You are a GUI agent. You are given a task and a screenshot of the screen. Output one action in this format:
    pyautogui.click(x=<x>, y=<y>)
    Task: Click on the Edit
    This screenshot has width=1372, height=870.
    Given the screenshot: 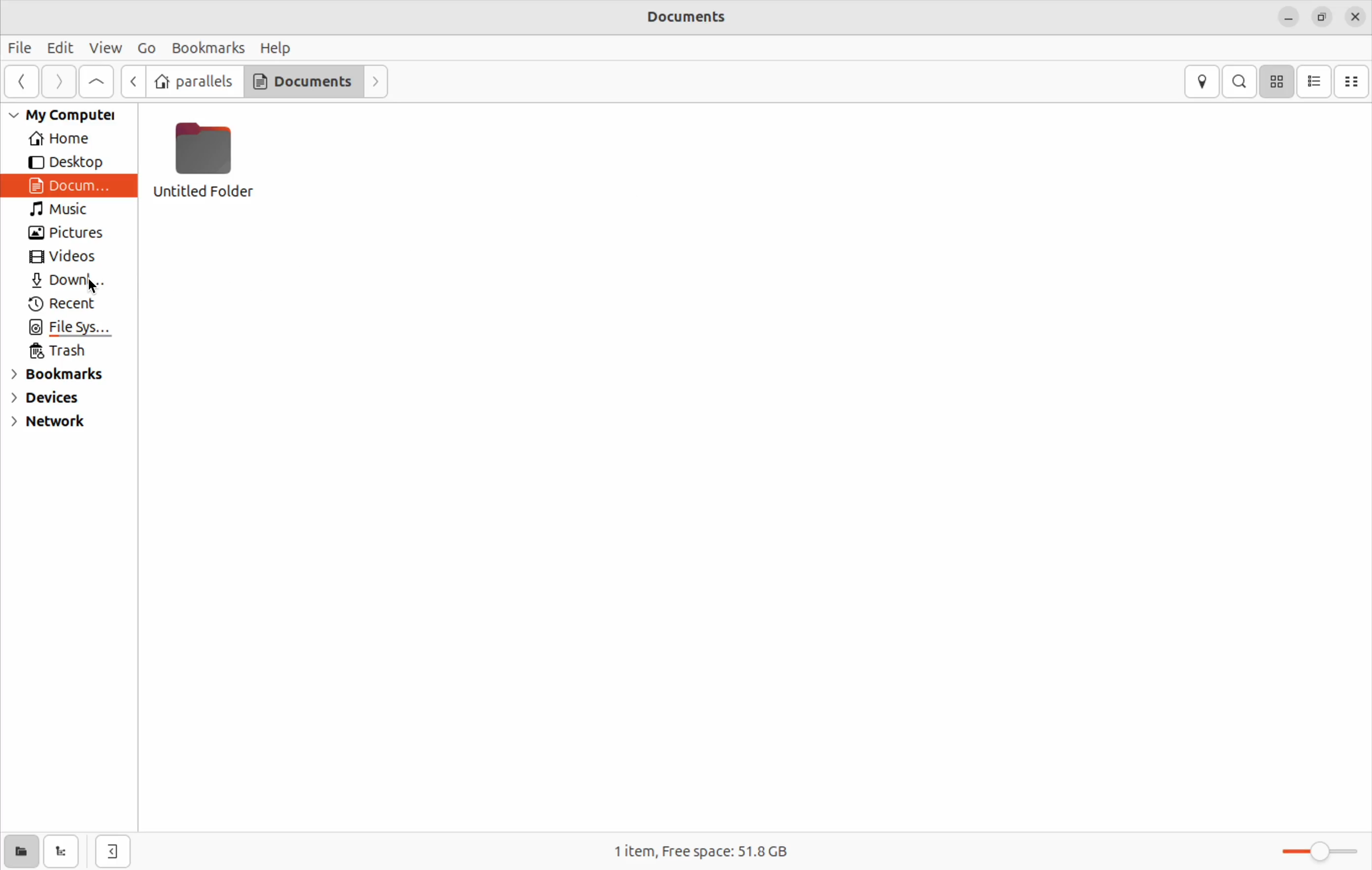 What is the action you would take?
    pyautogui.click(x=59, y=46)
    